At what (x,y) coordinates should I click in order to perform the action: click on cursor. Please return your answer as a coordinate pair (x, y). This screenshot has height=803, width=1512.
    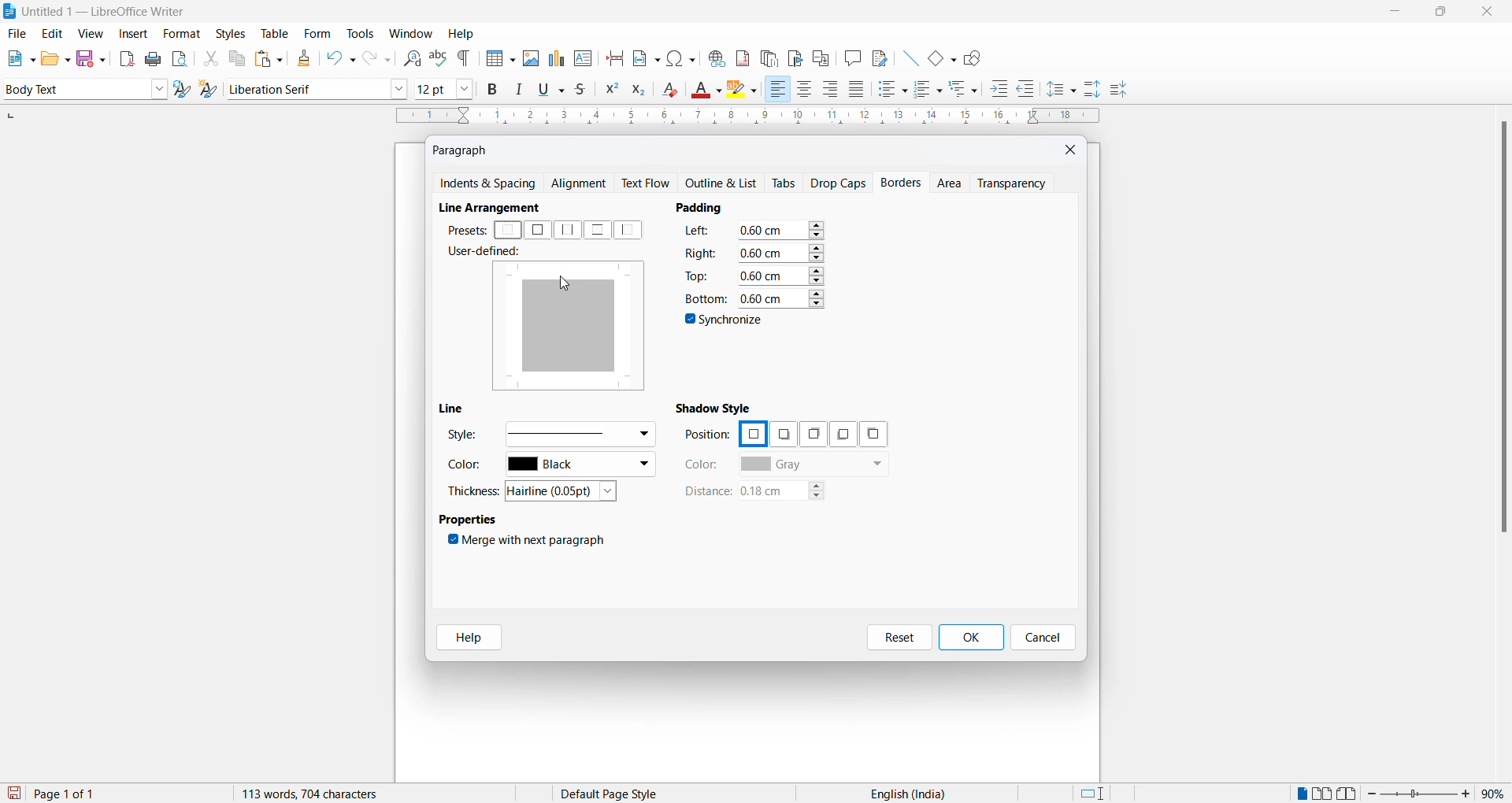
    Looking at the image, I should click on (569, 284).